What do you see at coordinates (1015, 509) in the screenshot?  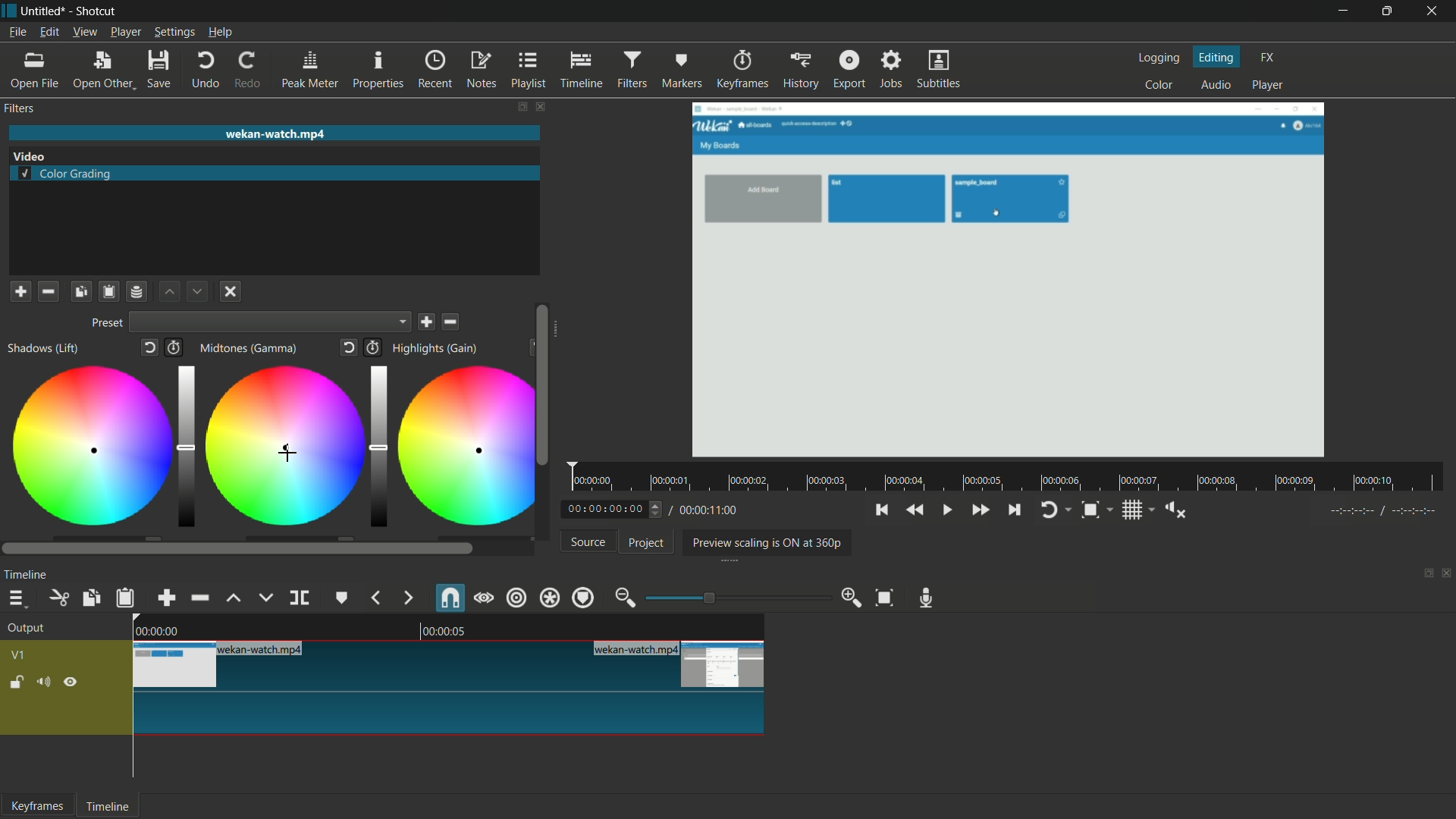 I see `skip to the next point` at bounding box center [1015, 509].